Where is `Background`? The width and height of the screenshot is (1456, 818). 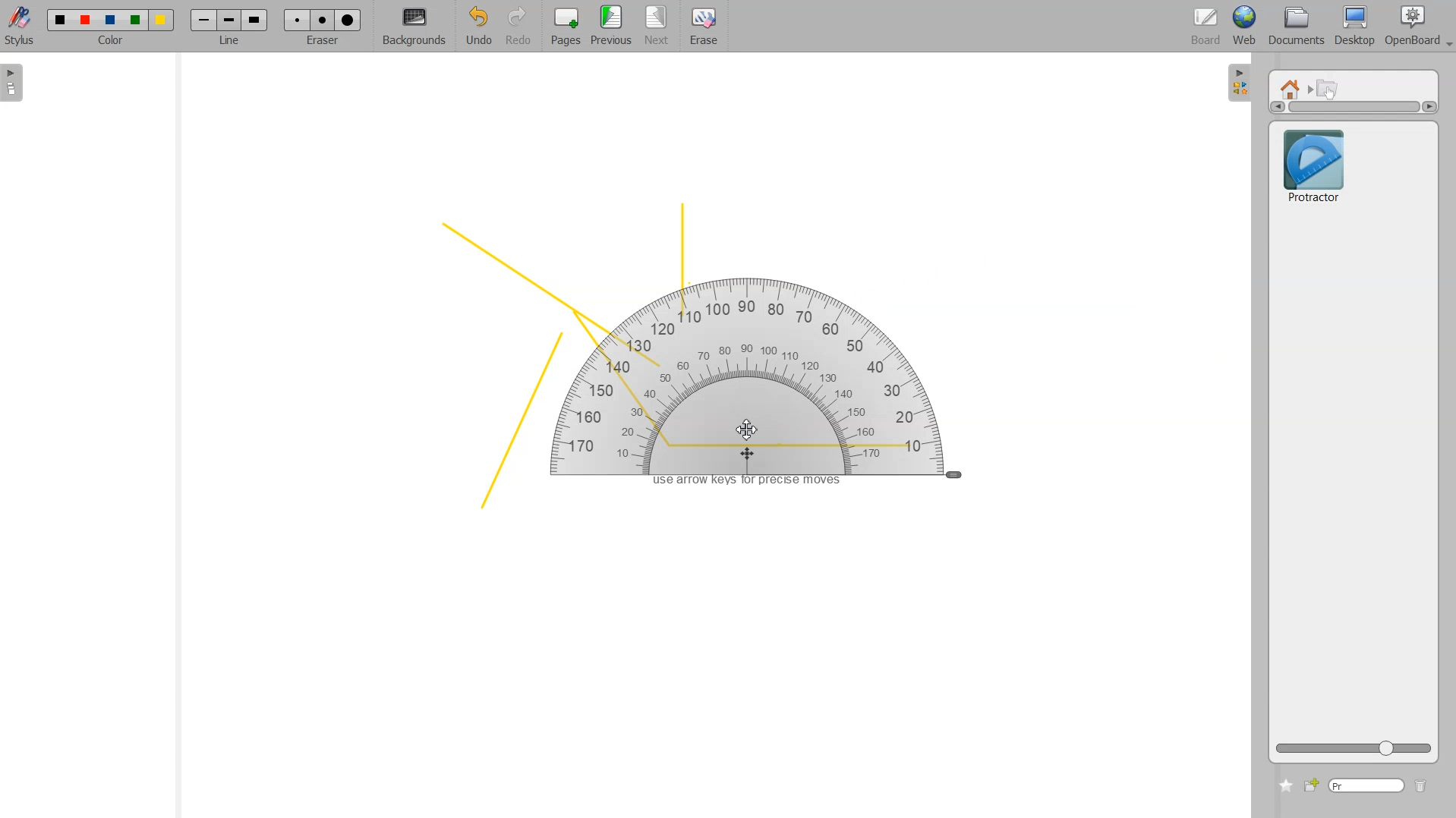 Background is located at coordinates (414, 27).